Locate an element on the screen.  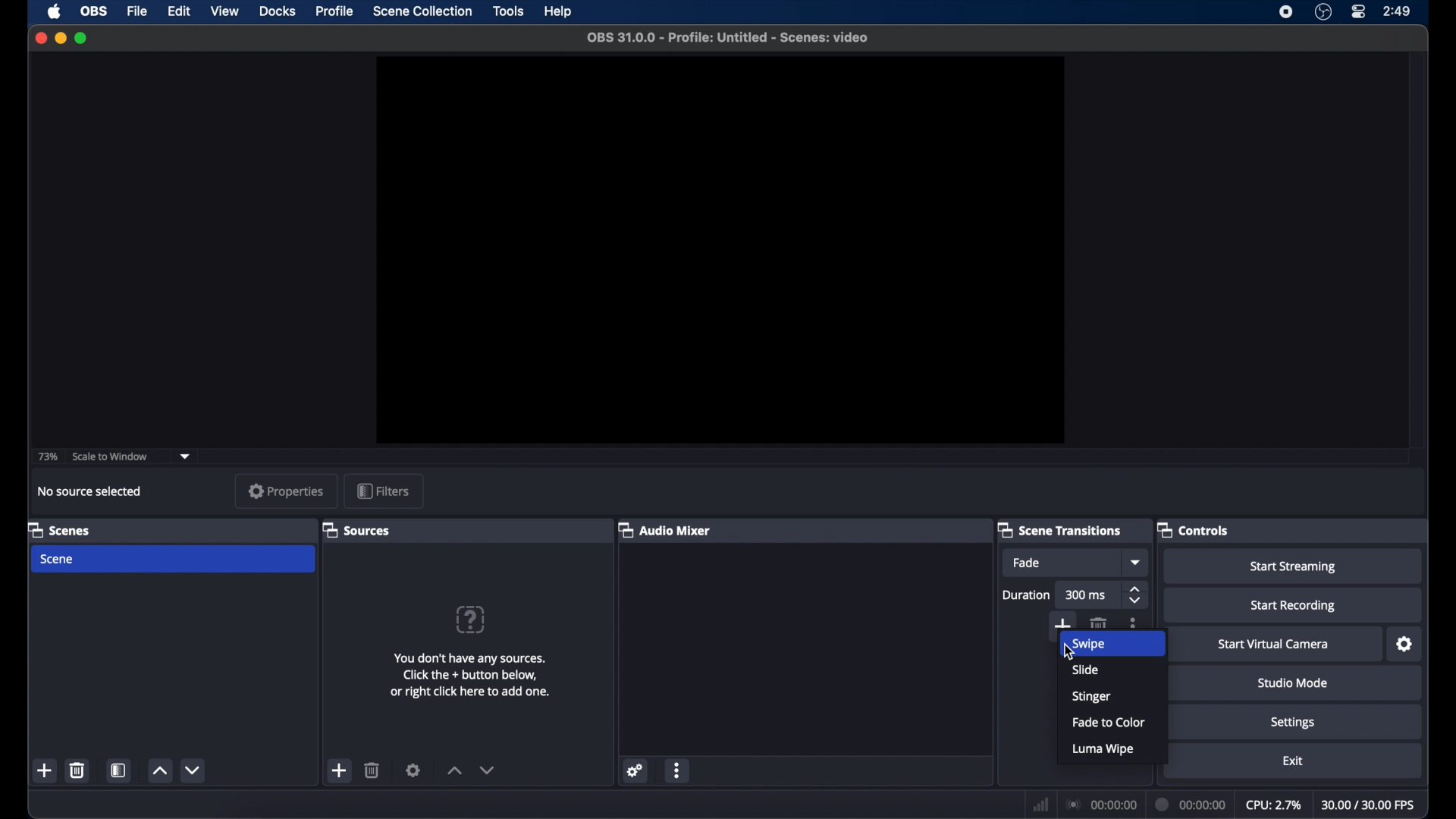
controls is located at coordinates (1195, 531).